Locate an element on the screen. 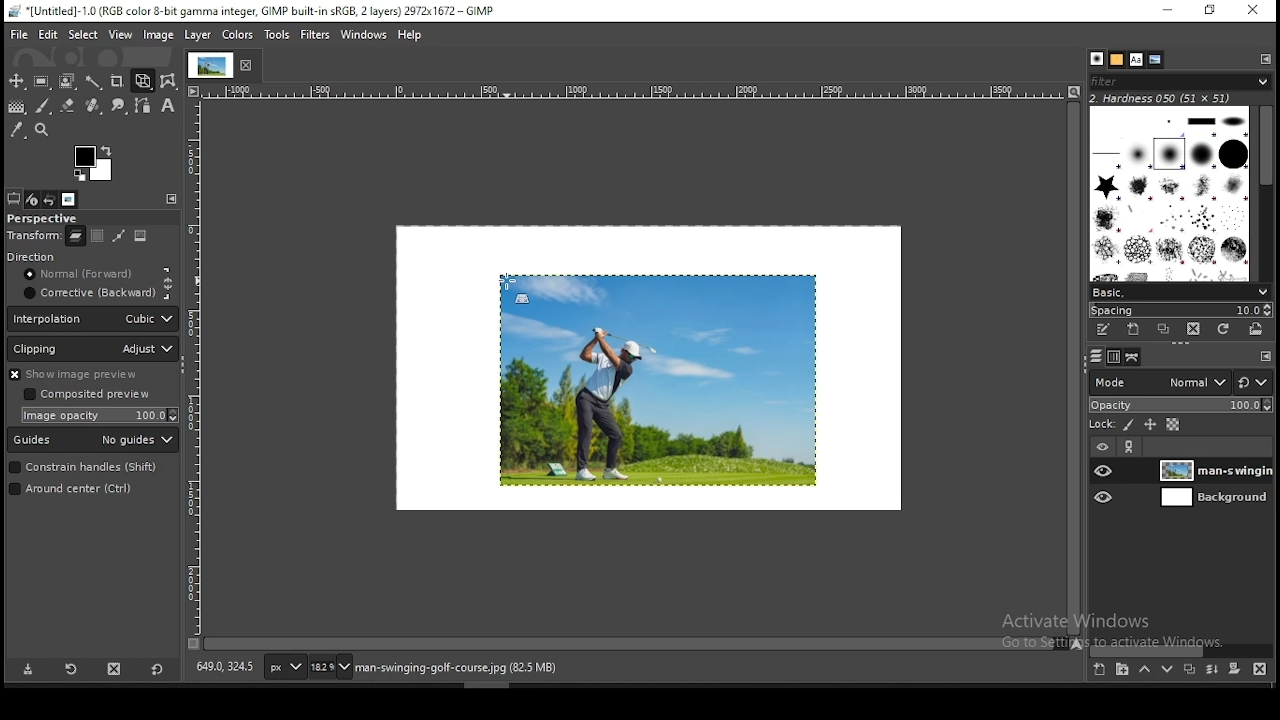 This screenshot has width=1280, height=720. foreground select tool is located at coordinates (68, 82).